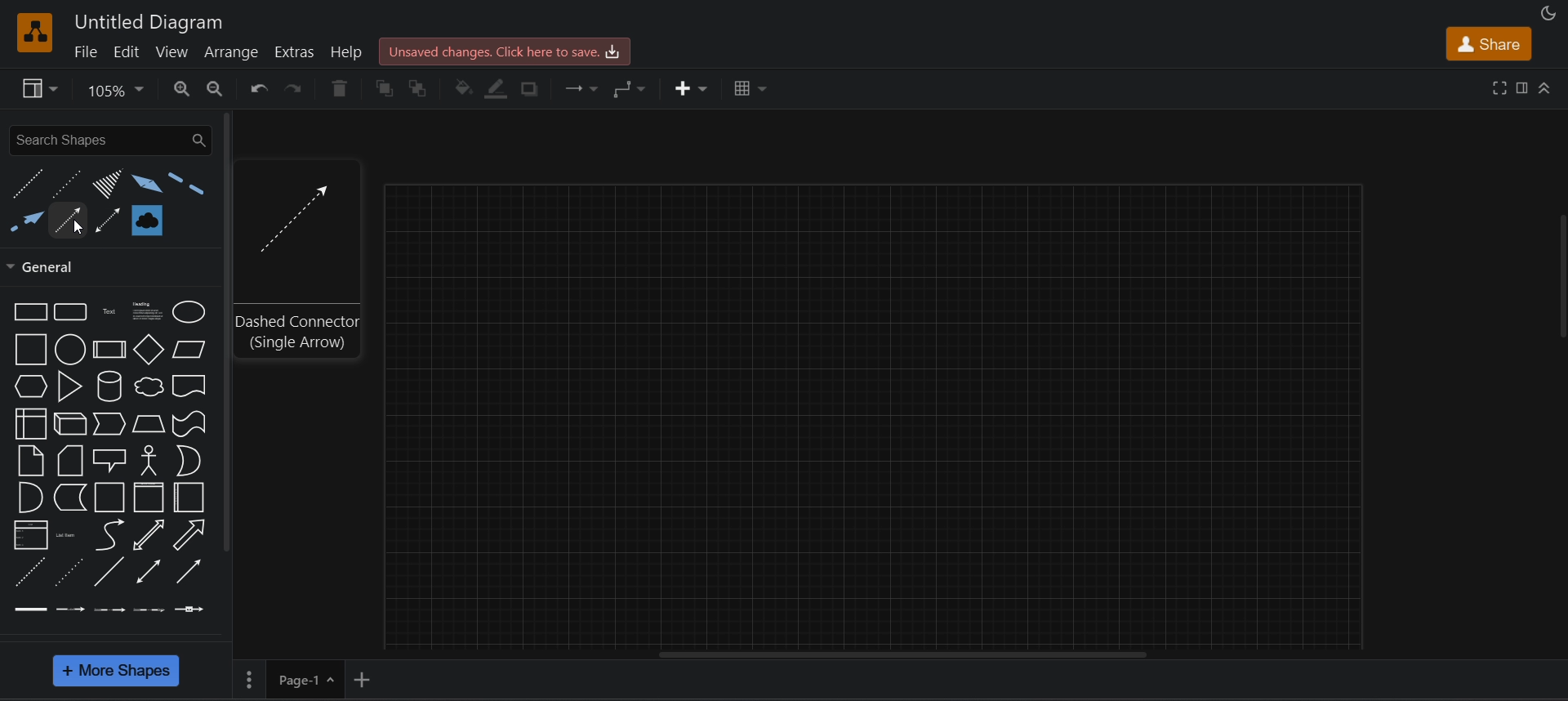 This screenshot has height=701, width=1568. What do you see at coordinates (193, 534) in the screenshot?
I see `arrow` at bounding box center [193, 534].